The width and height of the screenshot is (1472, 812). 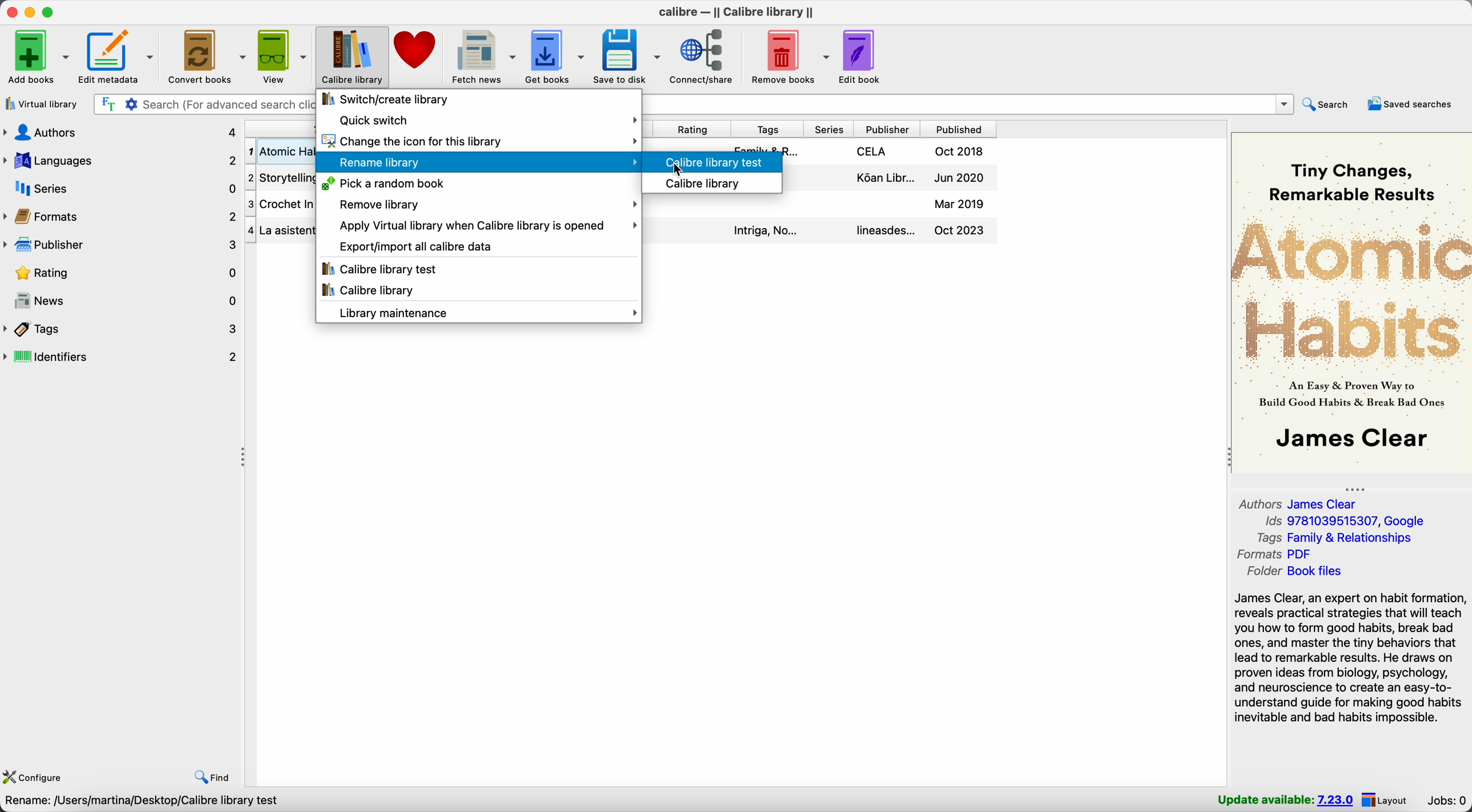 I want to click on switch/create library, so click(x=383, y=99).